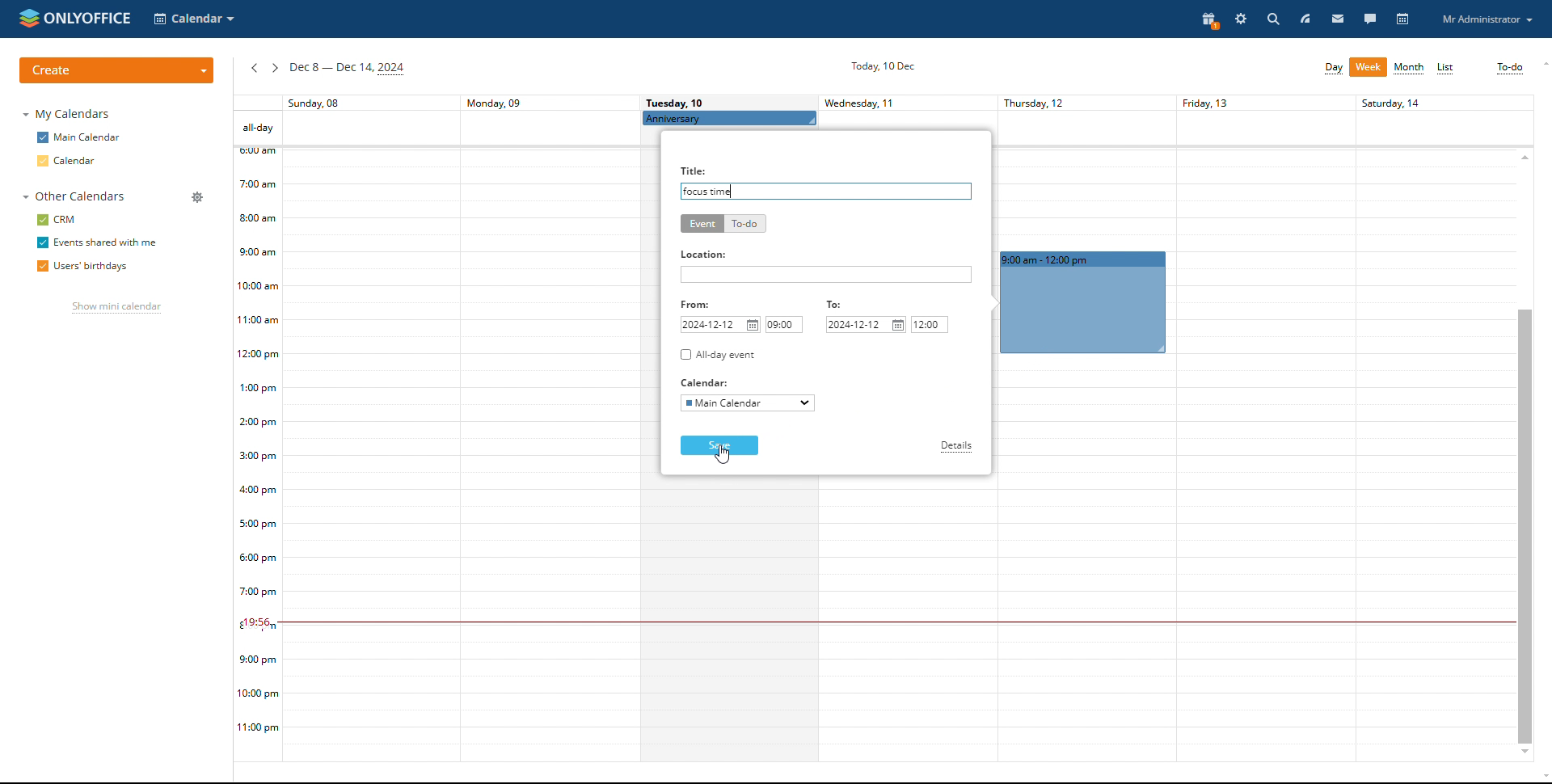 The width and height of the screenshot is (1552, 784). Describe the element at coordinates (254, 69) in the screenshot. I see `previous week` at that location.